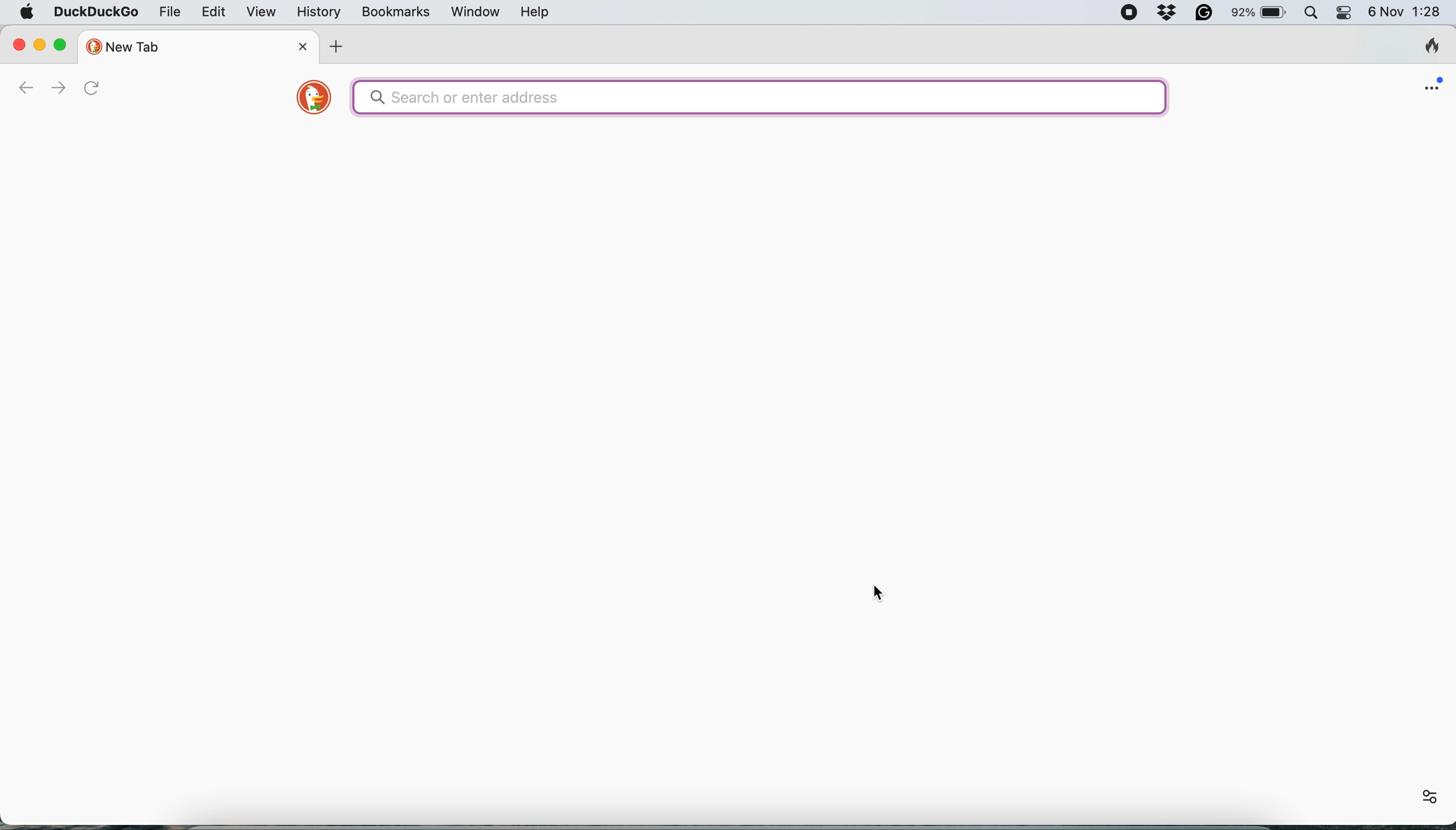 The height and width of the screenshot is (830, 1456). I want to click on duckduckgo logo, so click(307, 100).